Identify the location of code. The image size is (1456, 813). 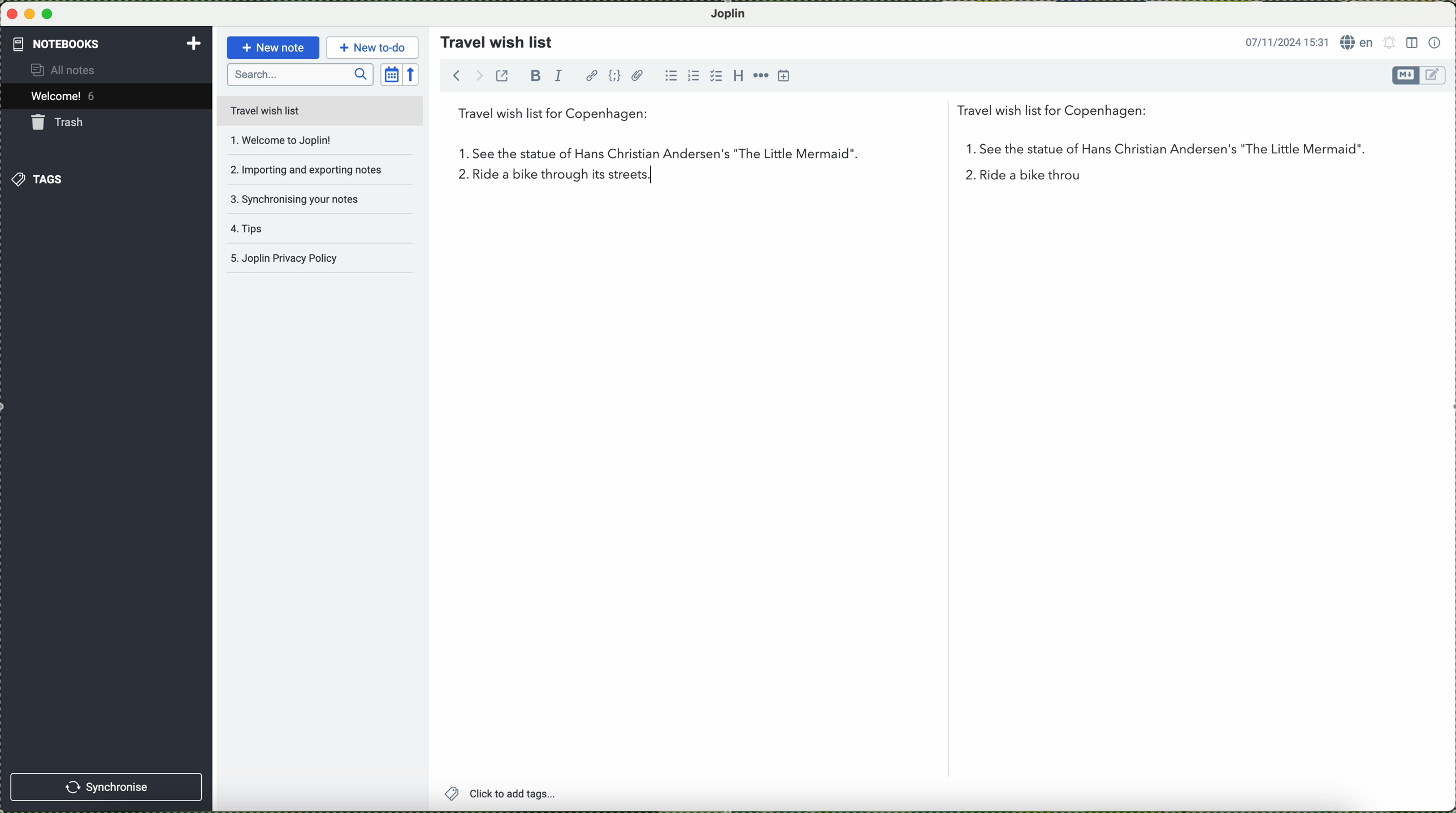
(616, 76).